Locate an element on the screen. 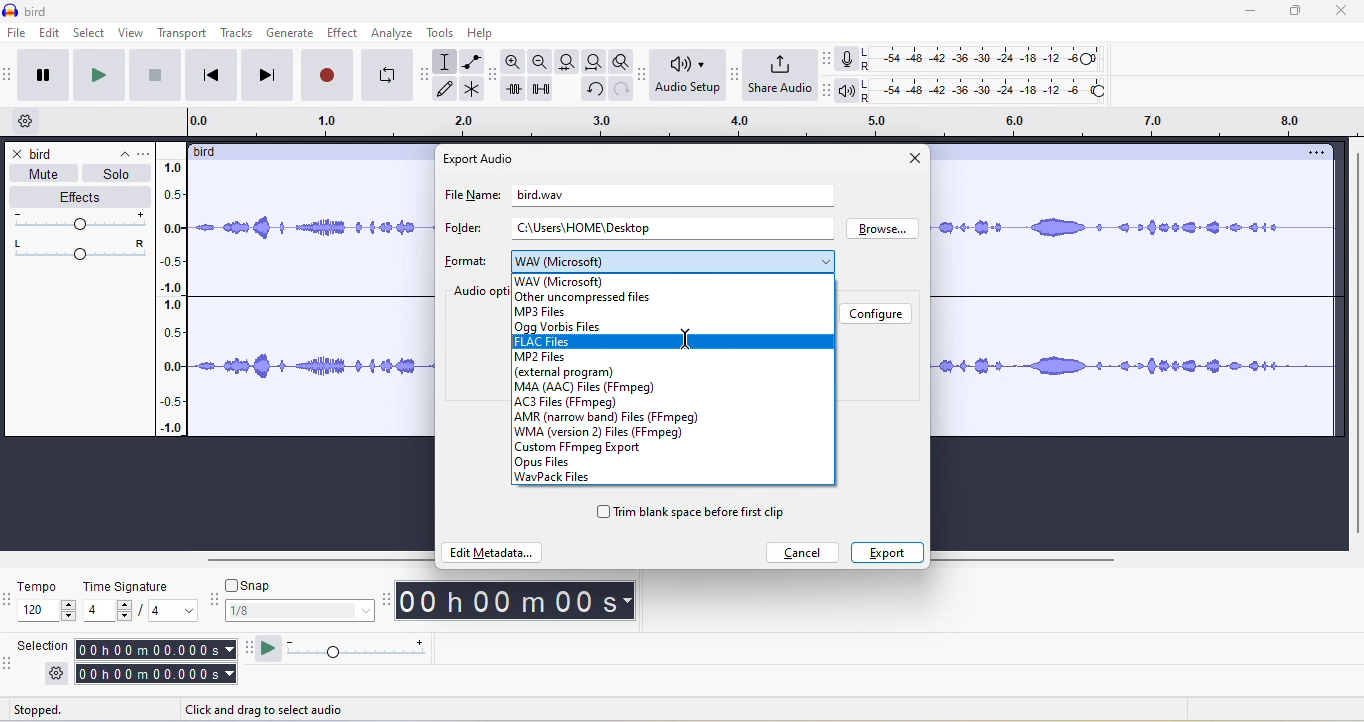 The width and height of the screenshot is (1364, 722). way is located at coordinates (572, 280).